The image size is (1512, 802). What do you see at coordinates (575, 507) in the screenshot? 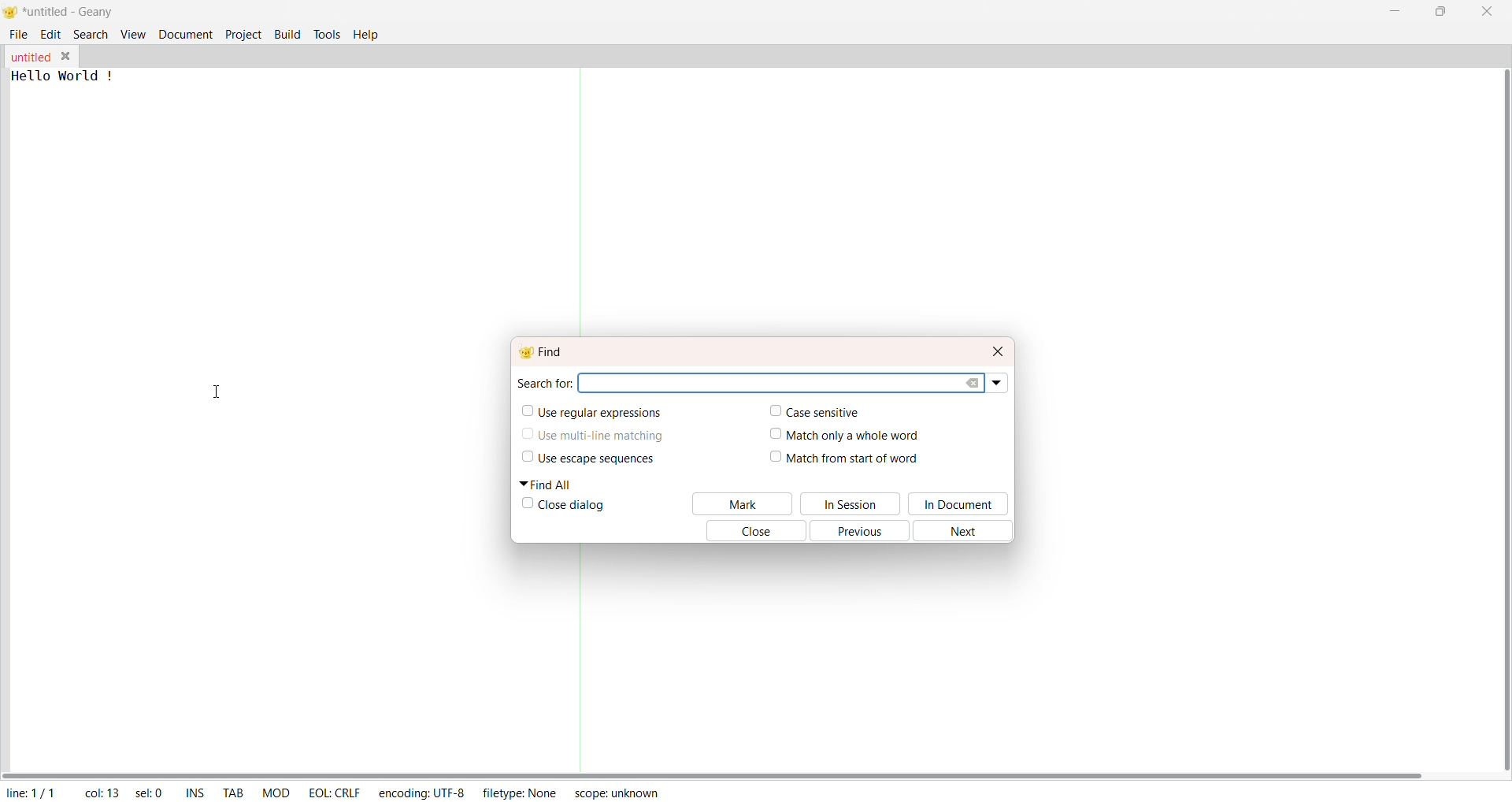
I see `Close Dialog` at bounding box center [575, 507].